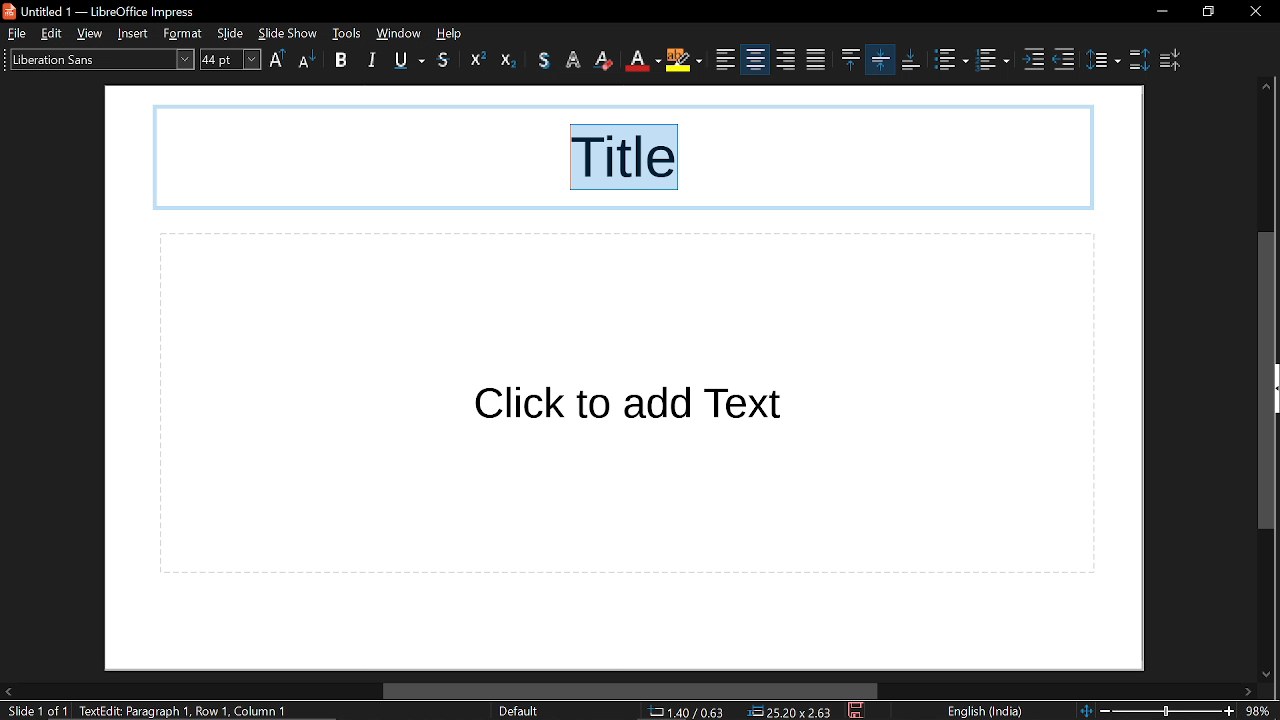 The width and height of the screenshot is (1280, 720). I want to click on insert, so click(137, 33).